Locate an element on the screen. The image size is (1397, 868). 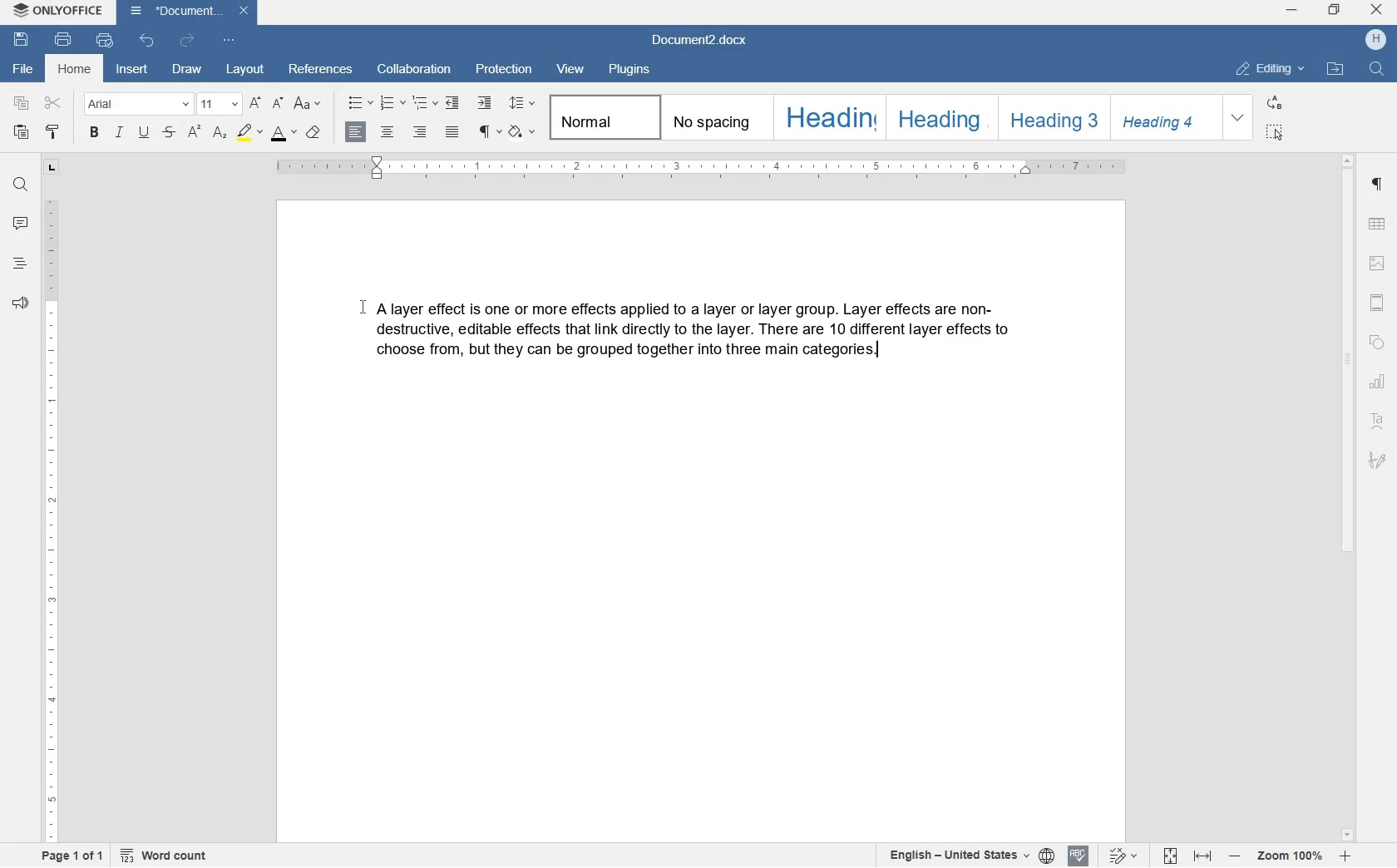
paragraph line spacing is located at coordinates (522, 104).